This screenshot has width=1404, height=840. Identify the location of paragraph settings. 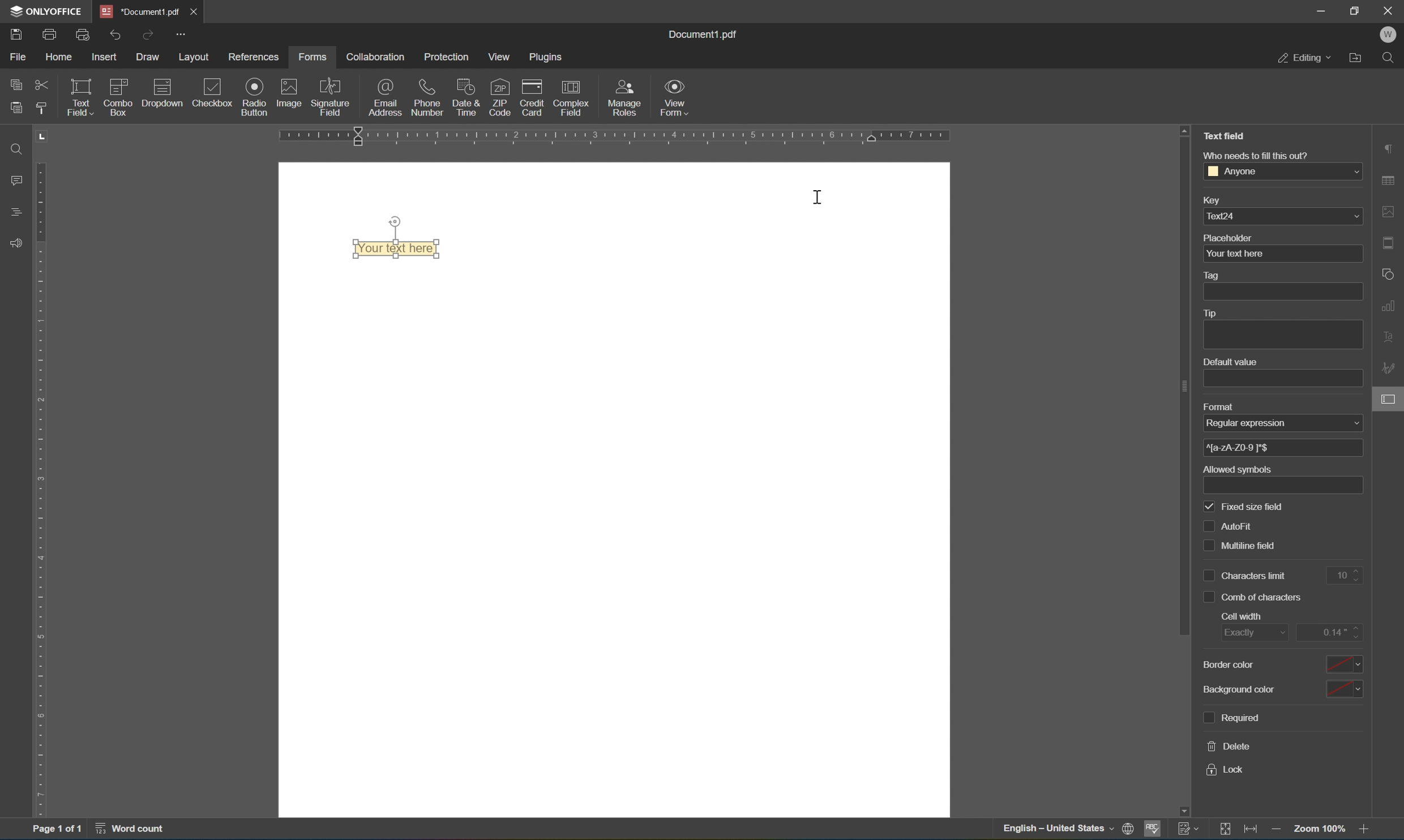
(1389, 147).